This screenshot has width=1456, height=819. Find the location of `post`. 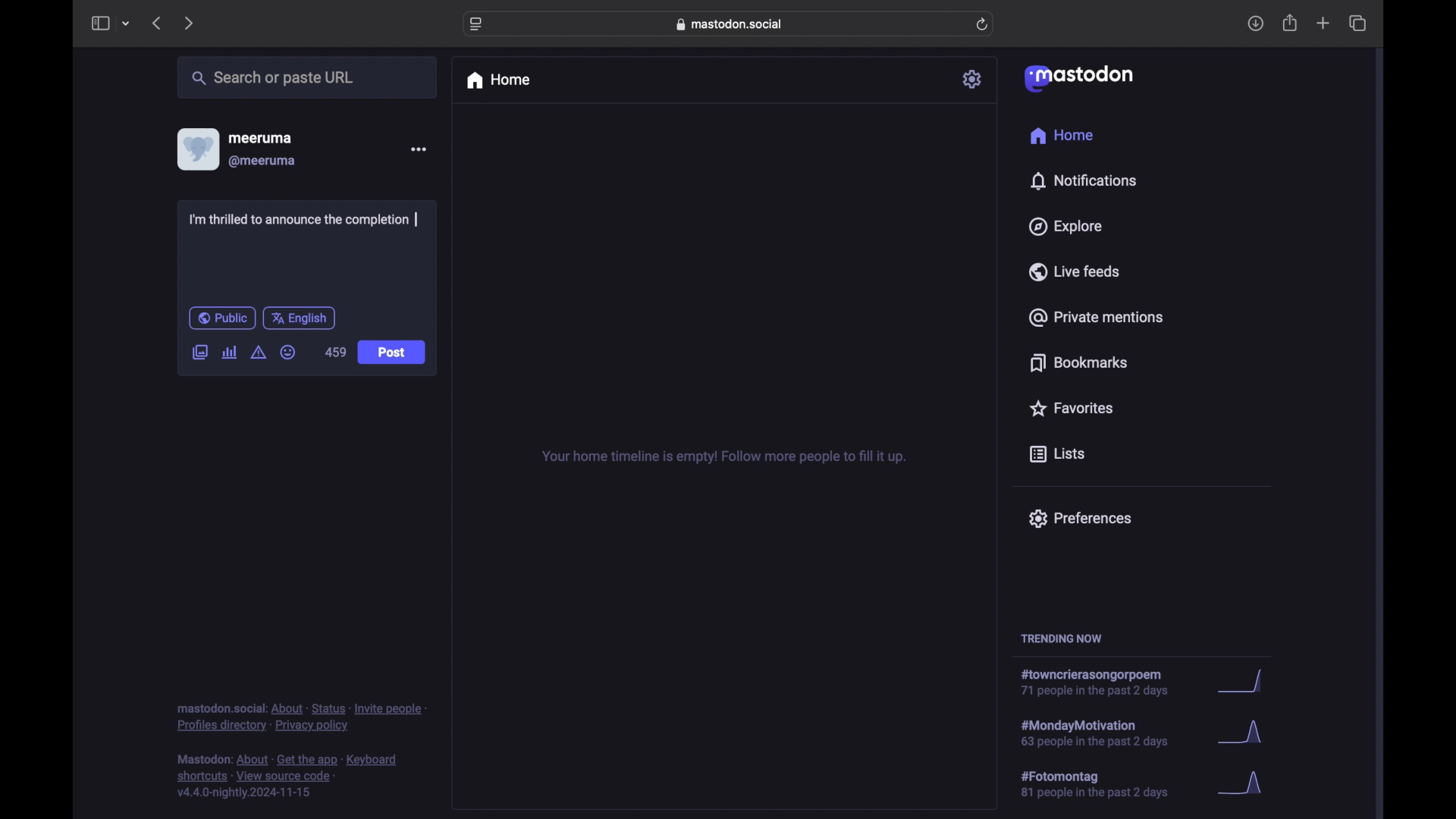

post is located at coordinates (393, 353).